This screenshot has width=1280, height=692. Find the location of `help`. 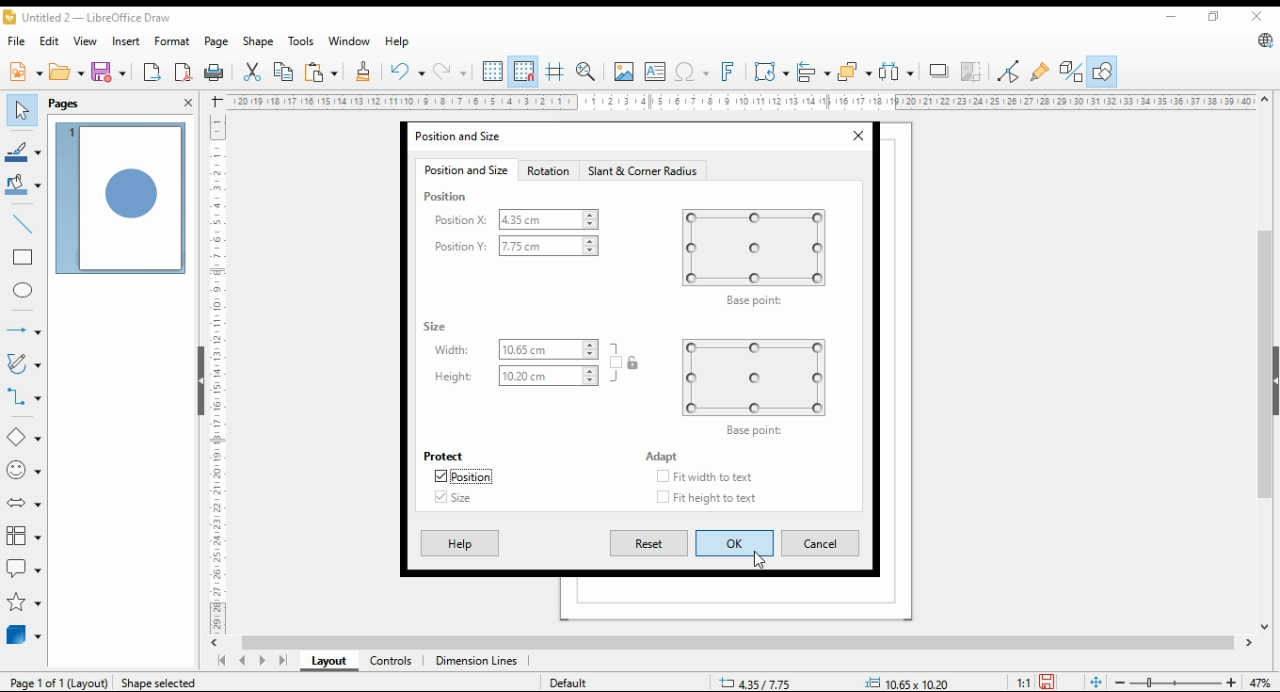

help is located at coordinates (457, 543).